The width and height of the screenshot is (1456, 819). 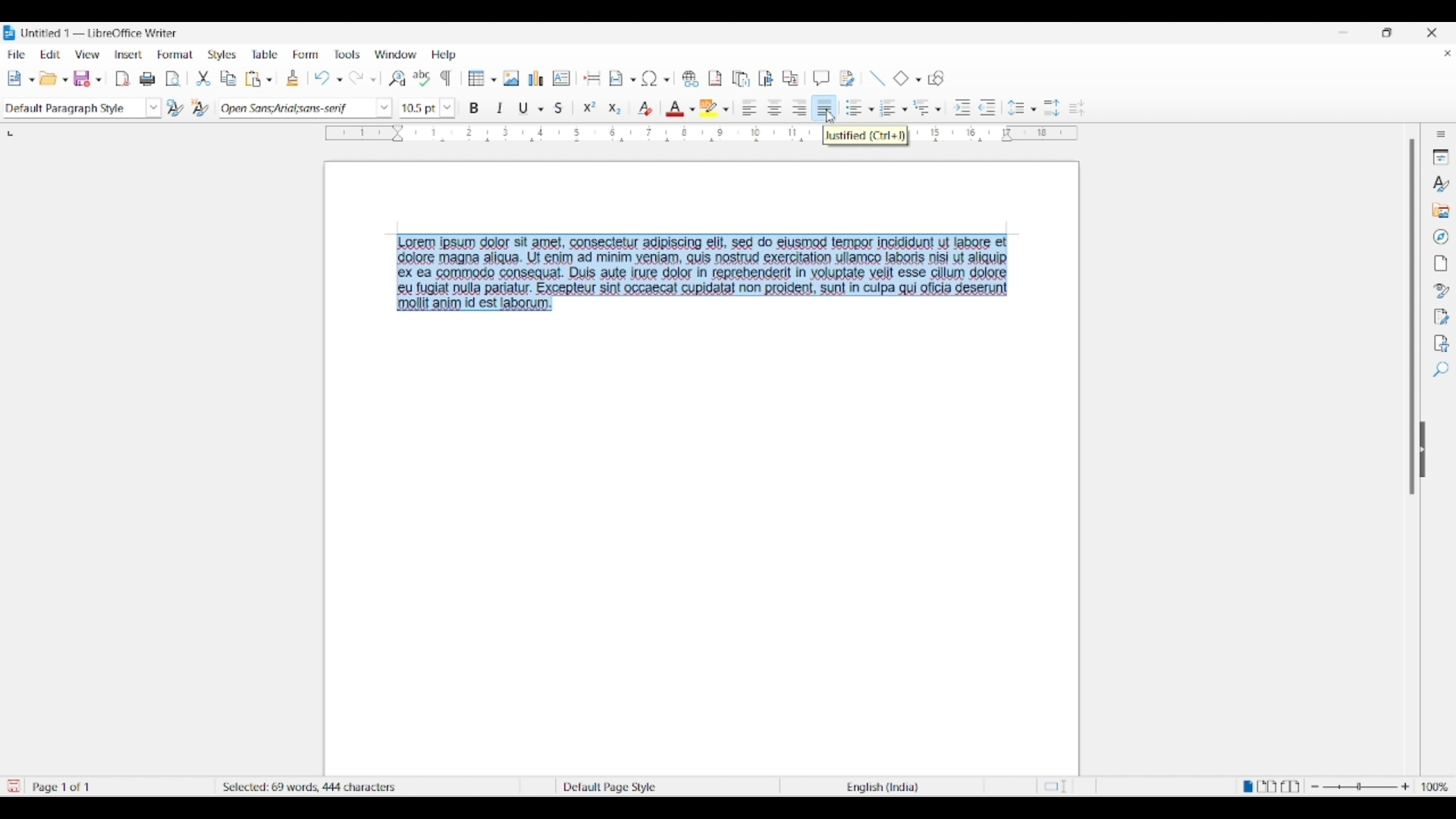 I want to click on Selected basic shape, so click(x=901, y=77).